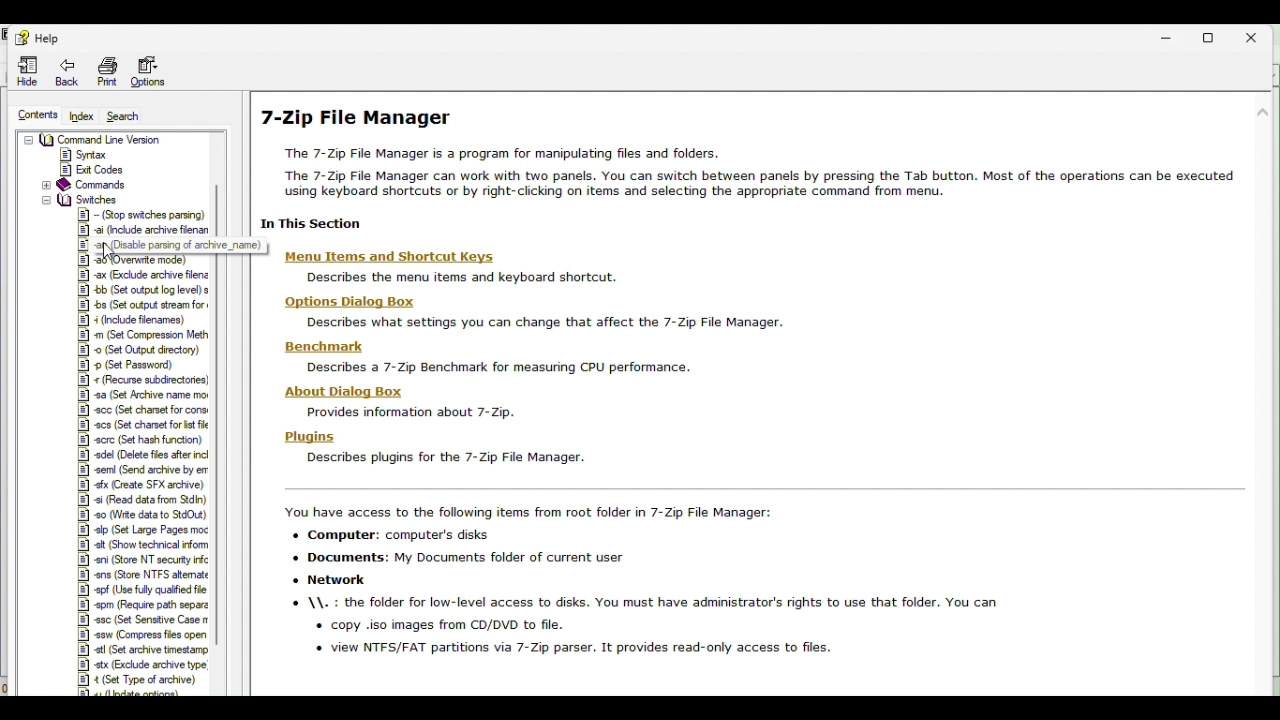  I want to click on Exit Codes, so click(99, 170).